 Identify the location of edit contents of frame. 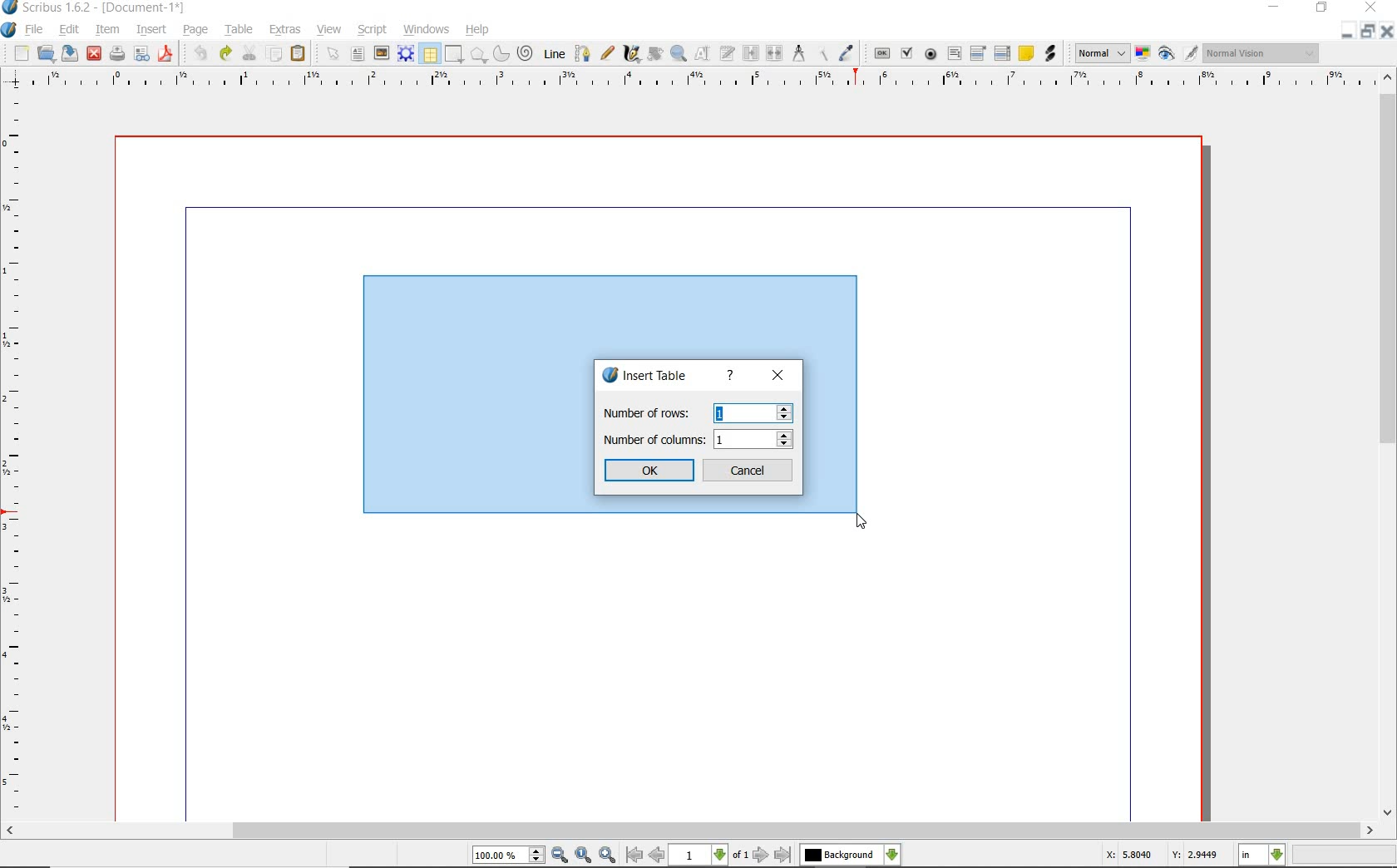
(703, 54).